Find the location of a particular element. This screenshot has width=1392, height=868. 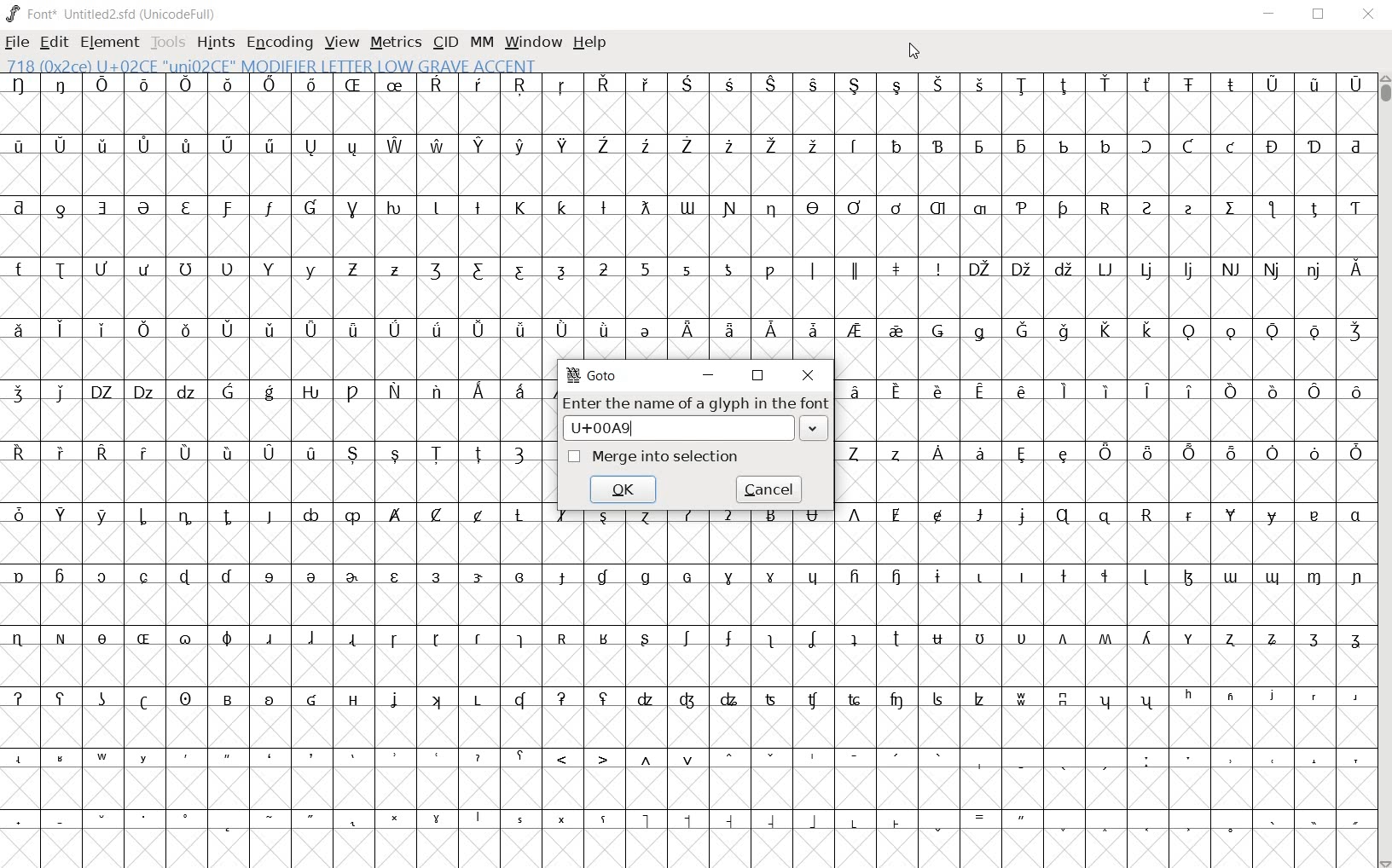

file is located at coordinates (17, 44).